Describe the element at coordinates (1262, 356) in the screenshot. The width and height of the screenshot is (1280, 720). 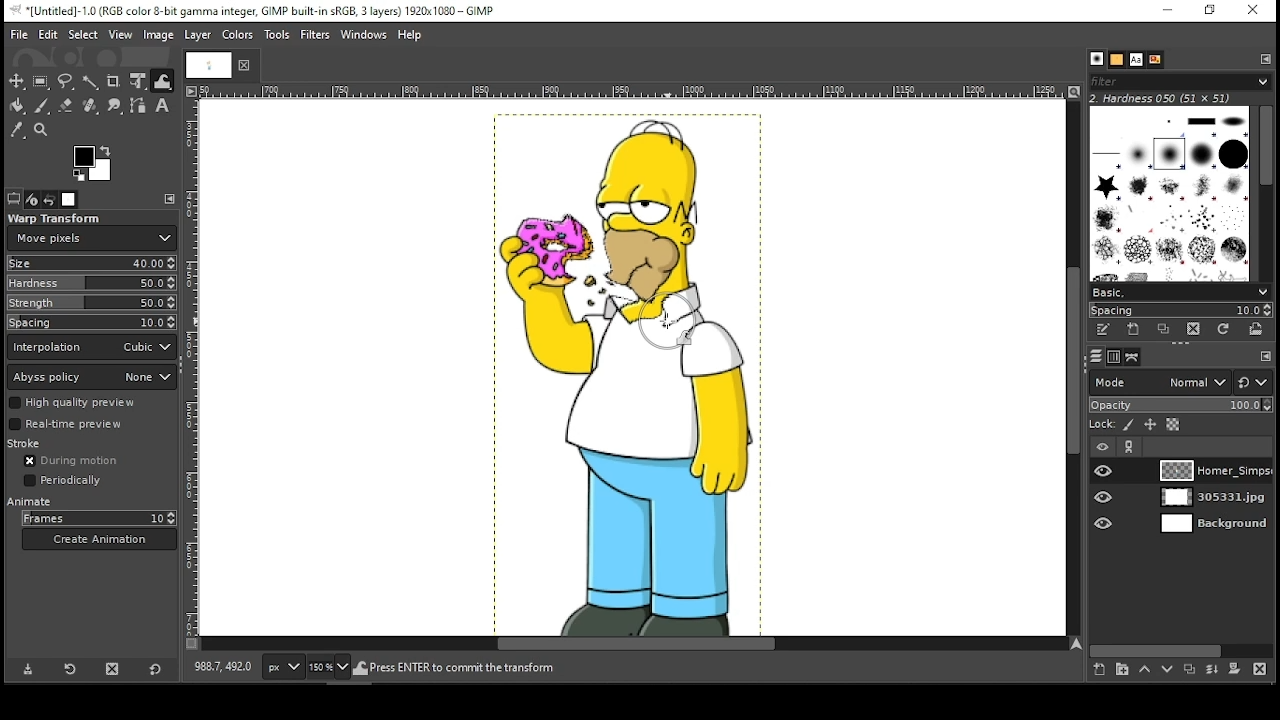
I see `edit toolbar` at that location.